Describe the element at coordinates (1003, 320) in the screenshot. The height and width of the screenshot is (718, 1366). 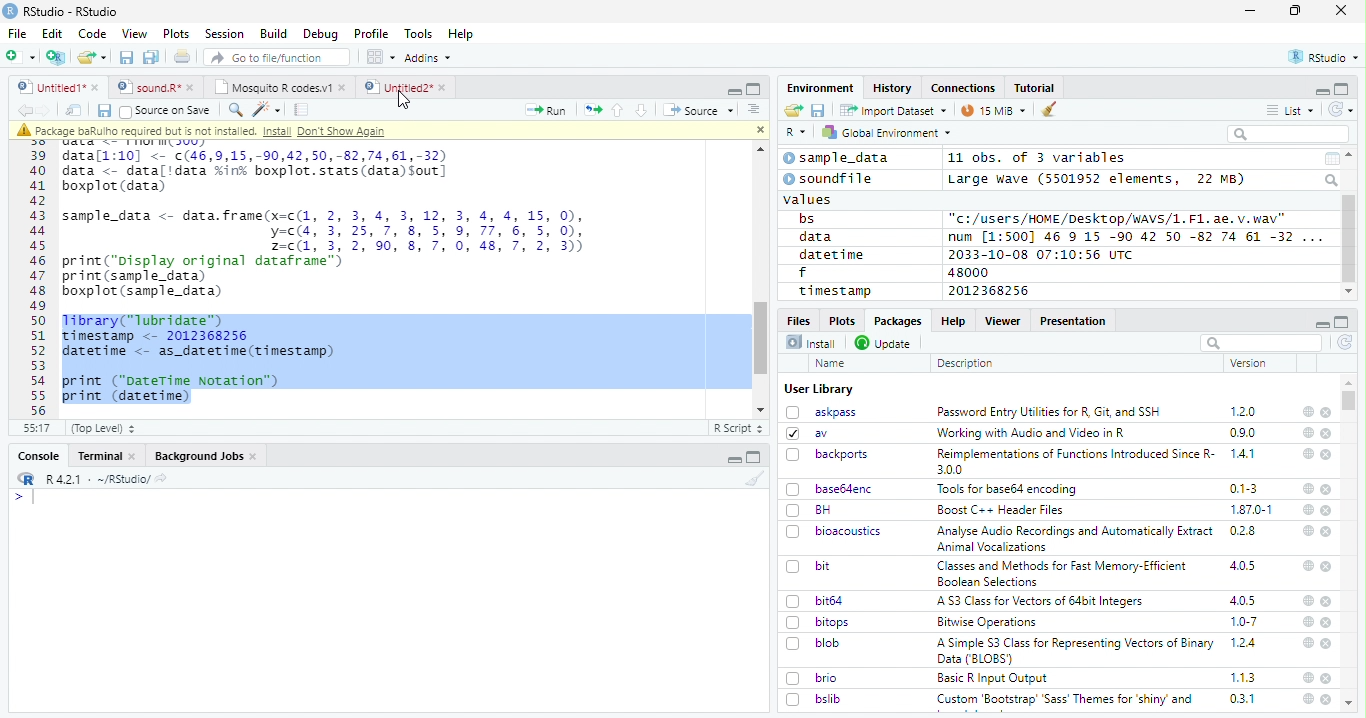
I see `Viewer` at that location.